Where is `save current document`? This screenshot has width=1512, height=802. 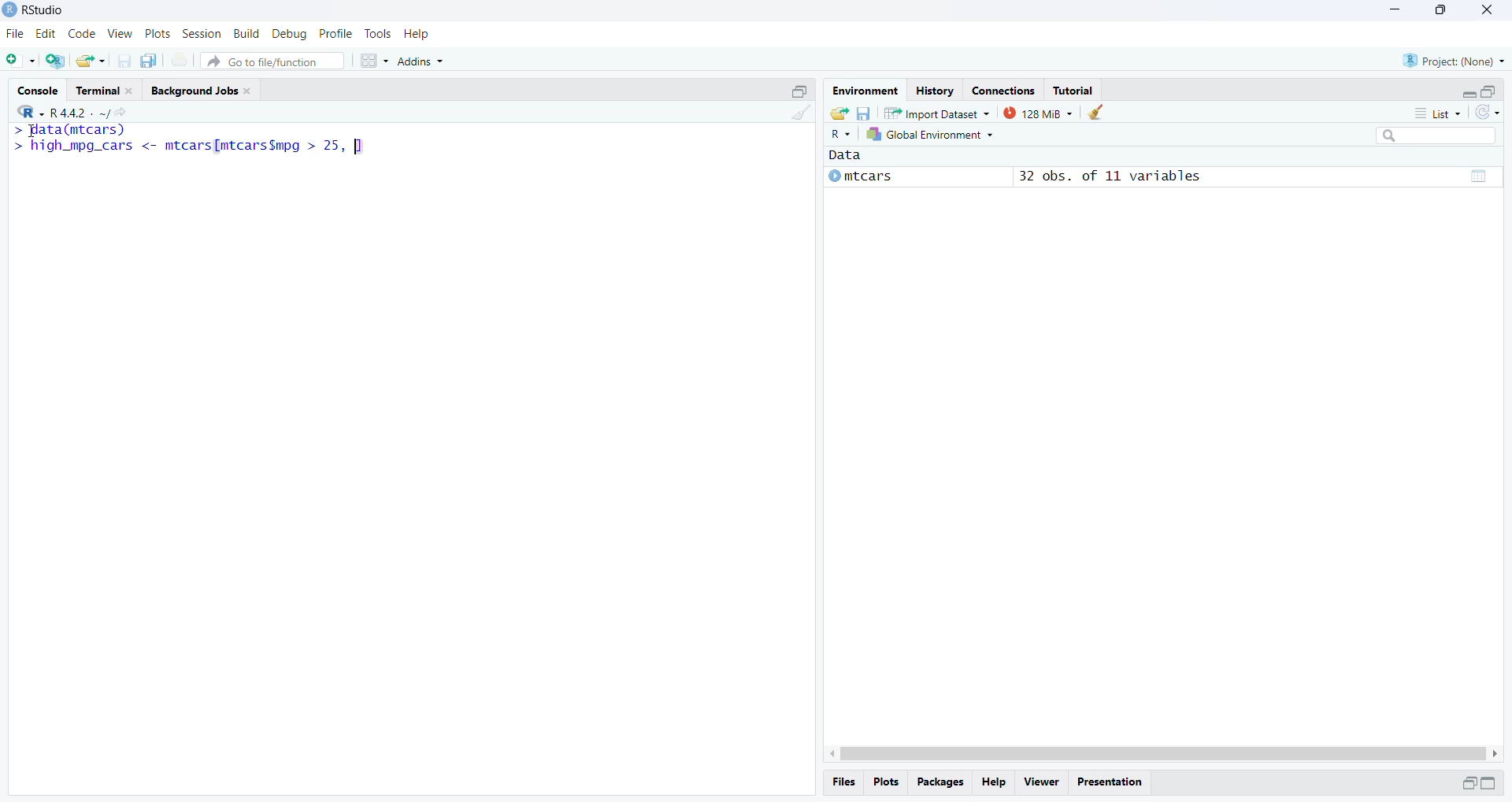 save current document is located at coordinates (124, 60).